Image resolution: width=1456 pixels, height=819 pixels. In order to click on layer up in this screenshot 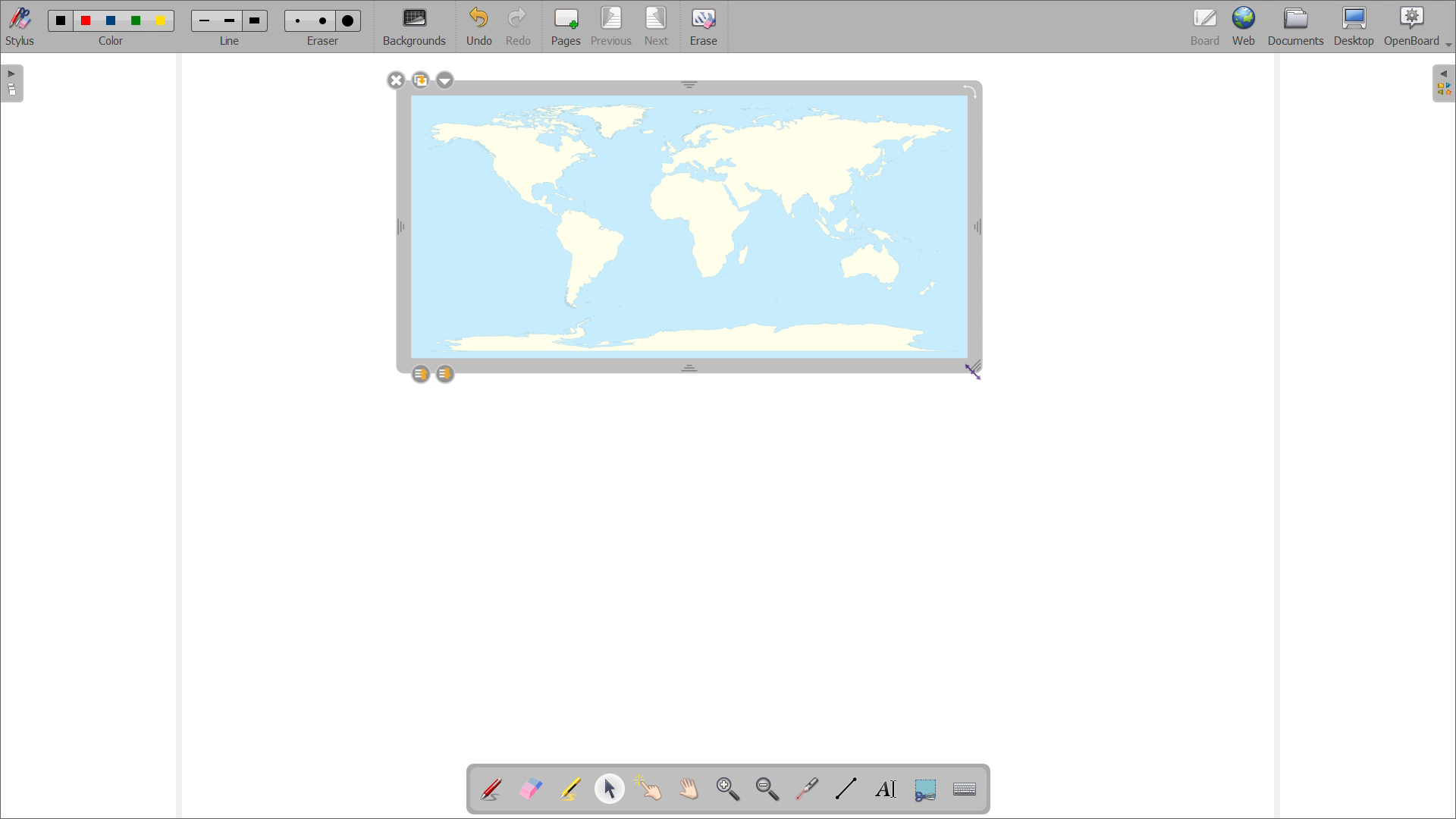, I will do `click(421, 373)`.